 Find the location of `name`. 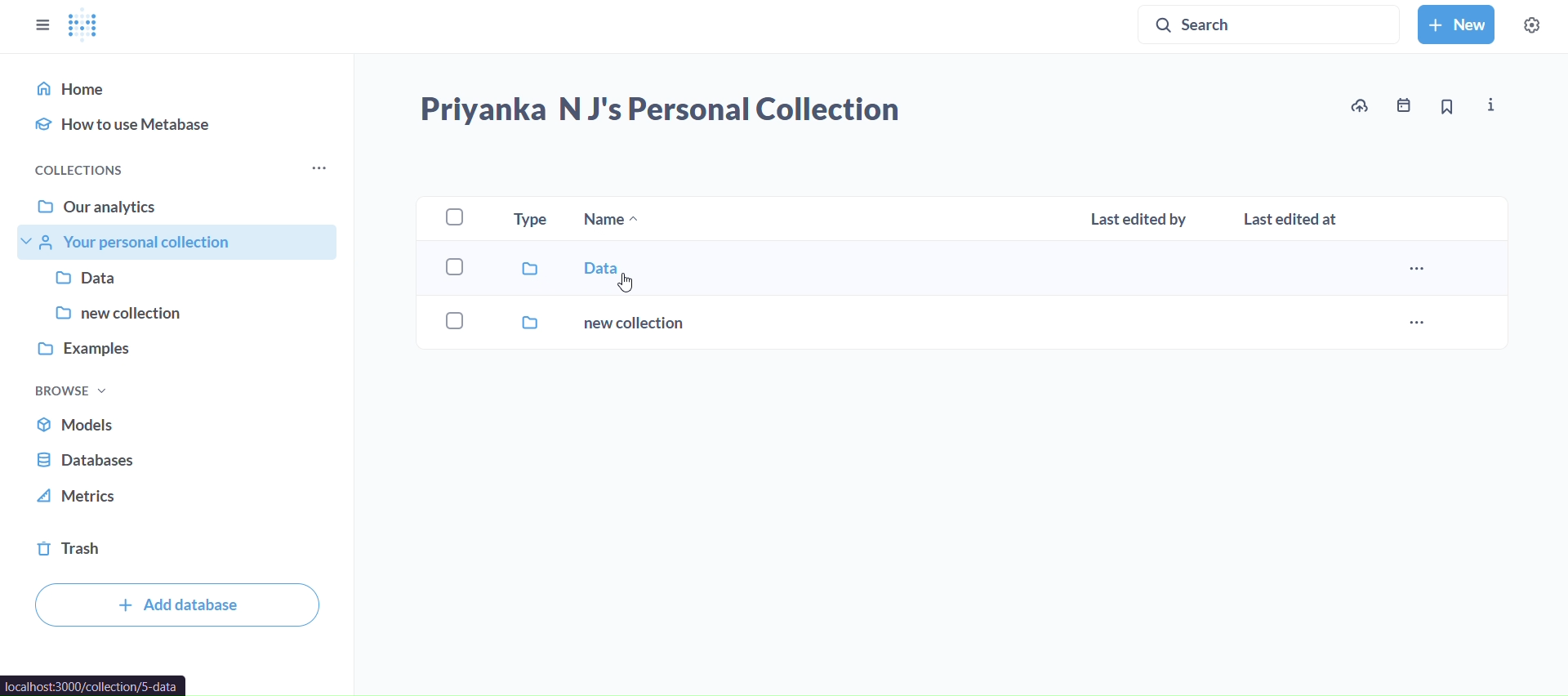

name is located at coordinates (608, 221).